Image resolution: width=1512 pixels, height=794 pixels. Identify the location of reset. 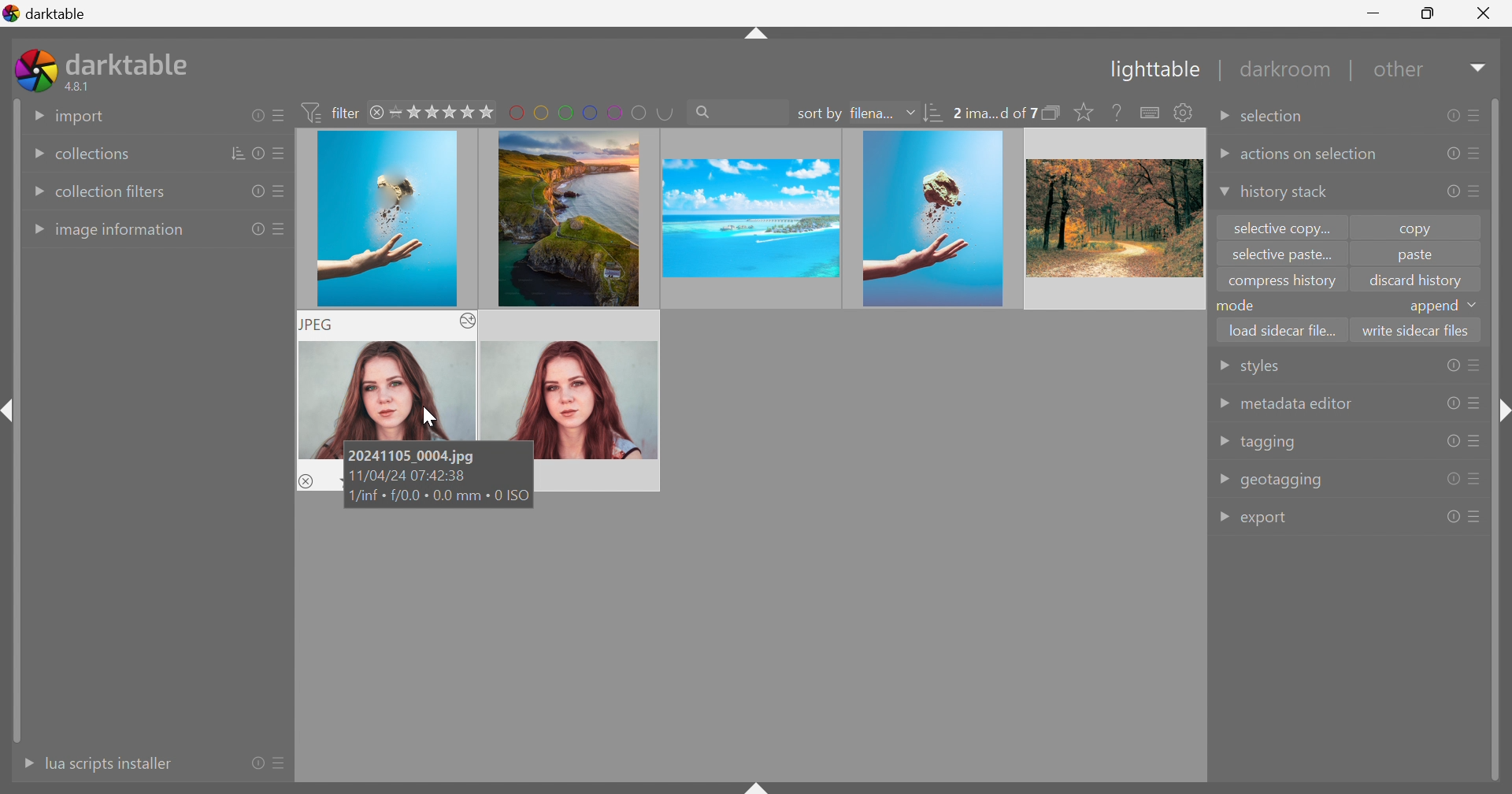
(1451, 365).